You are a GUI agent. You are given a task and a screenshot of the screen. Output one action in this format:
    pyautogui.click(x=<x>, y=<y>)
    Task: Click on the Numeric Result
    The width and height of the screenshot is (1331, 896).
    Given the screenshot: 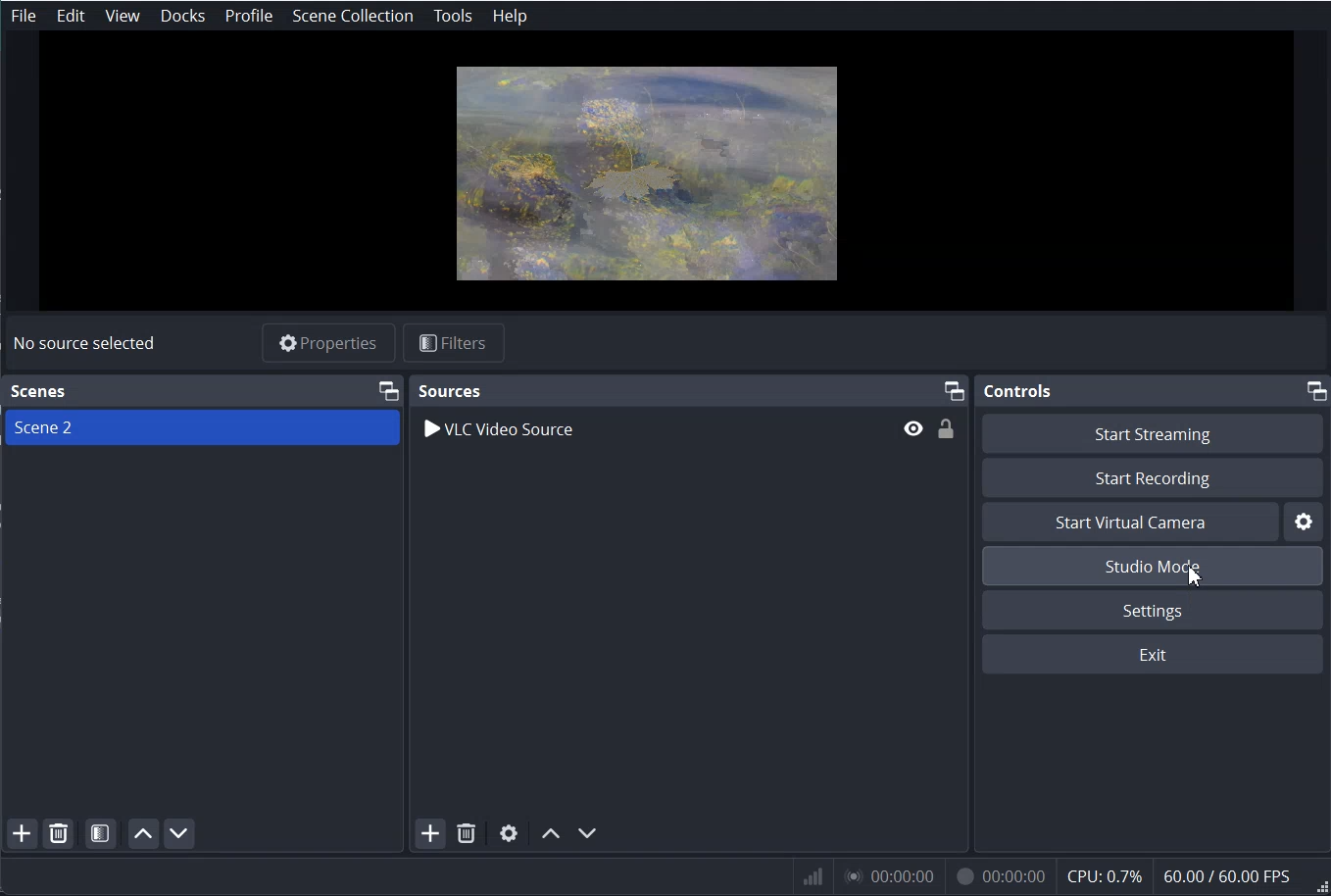 What is the action you would take?
    pyautogui.click(x=1060, y=874)
    